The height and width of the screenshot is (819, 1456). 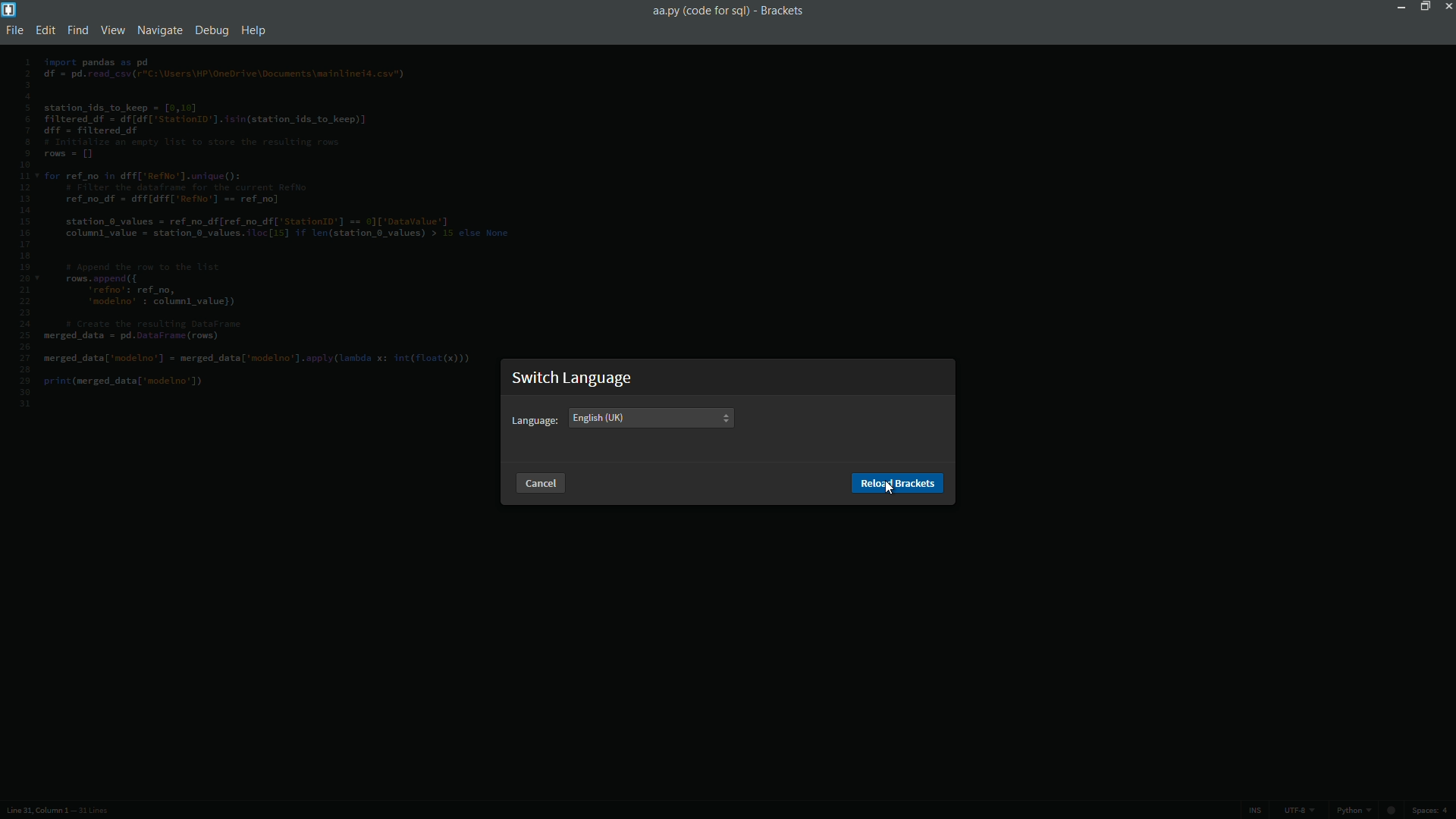 I want to click on line numbers, so click(x=24, y=233).